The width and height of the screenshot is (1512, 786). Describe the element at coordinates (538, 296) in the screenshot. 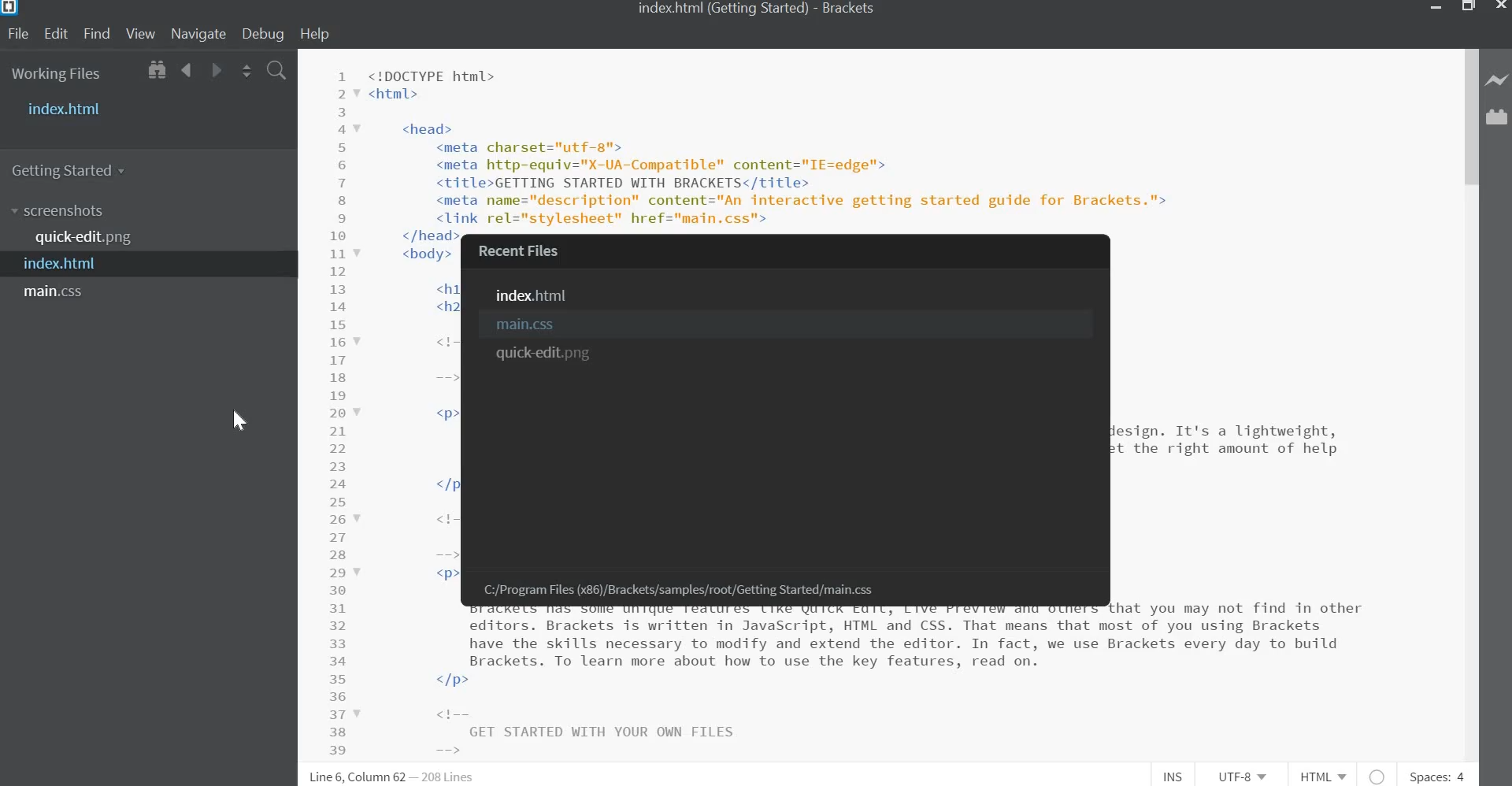

I see `index.html file` at that location.